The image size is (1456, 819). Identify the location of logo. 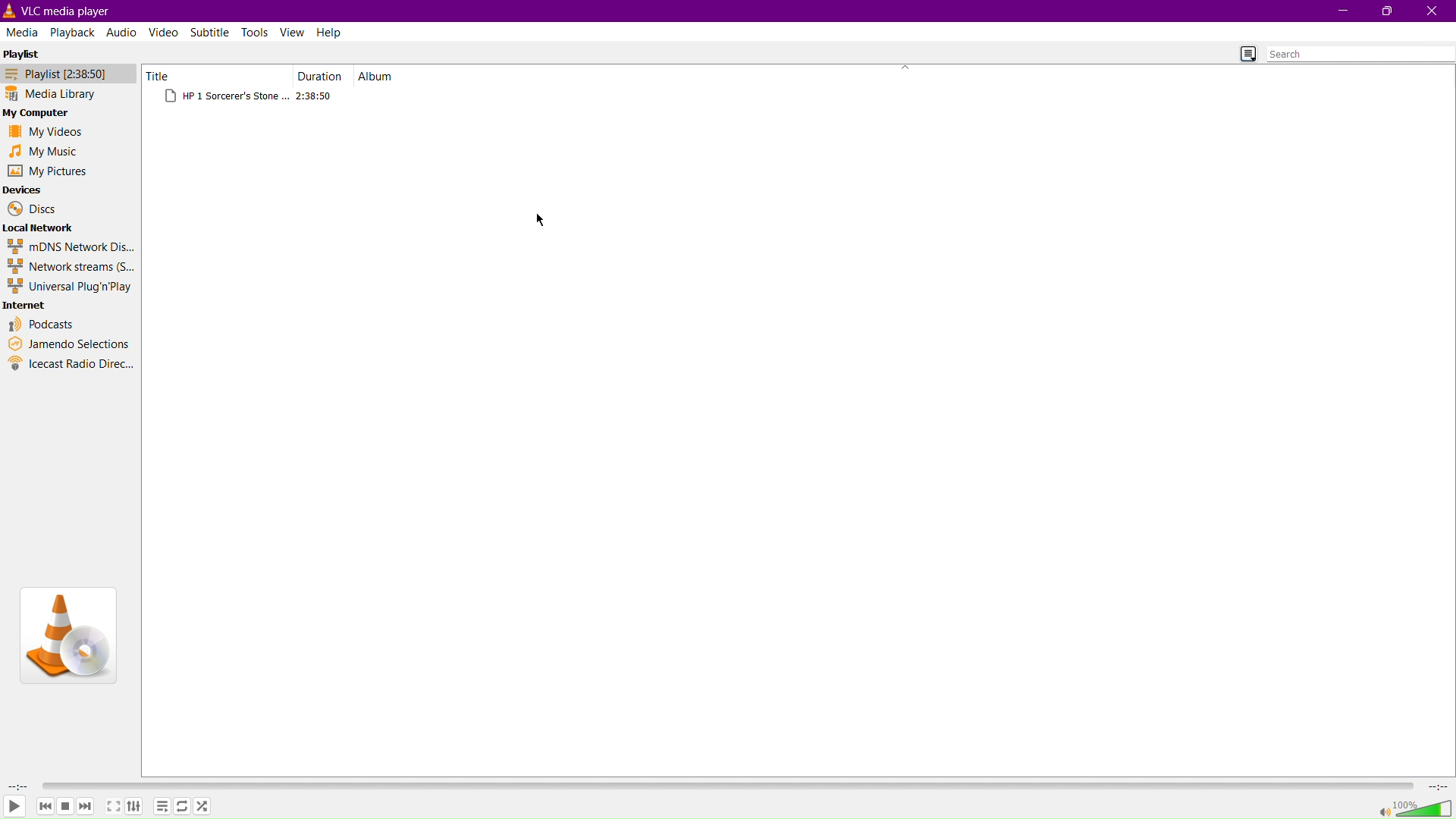
(11, 11).